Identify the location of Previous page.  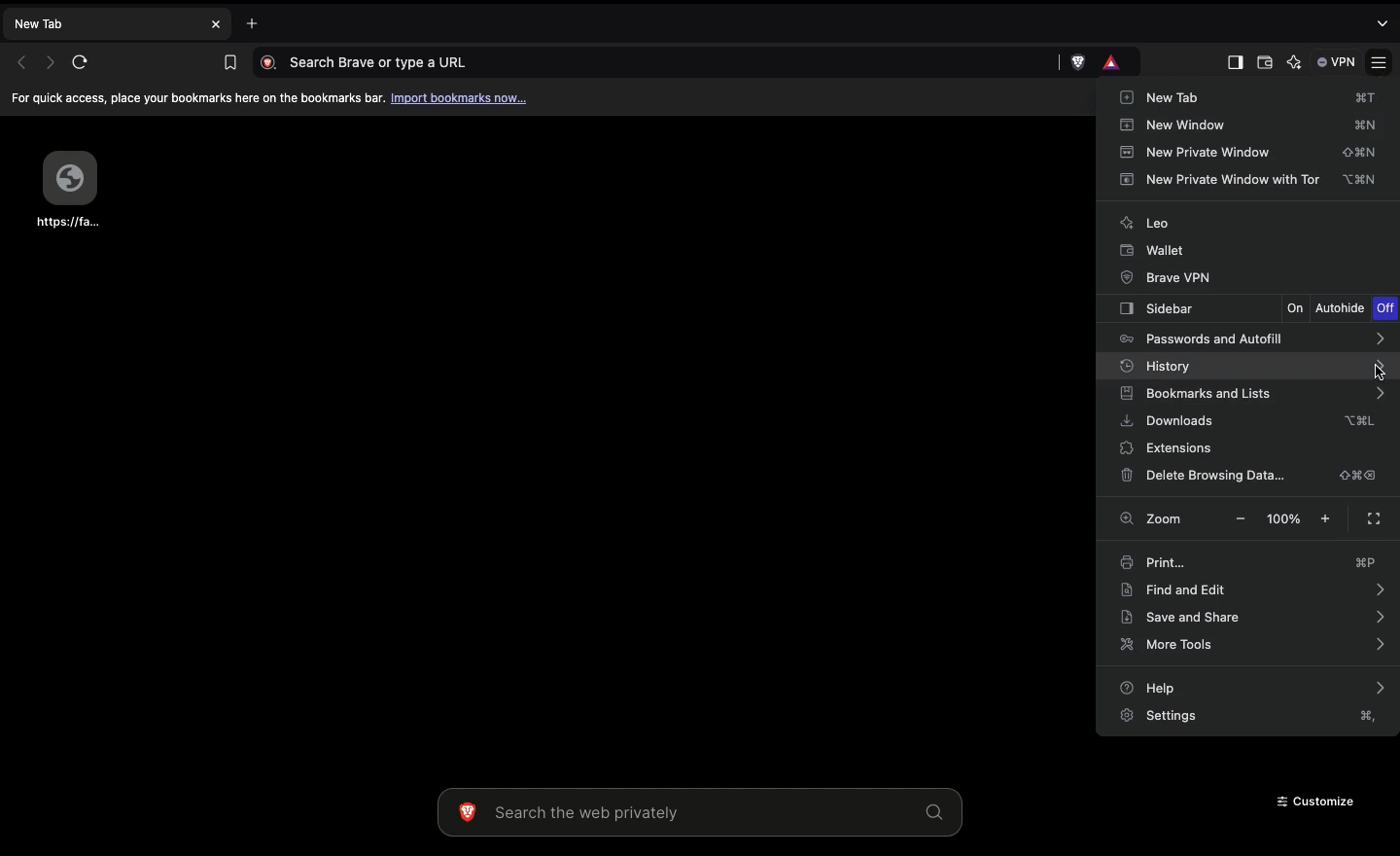
(18, 61).